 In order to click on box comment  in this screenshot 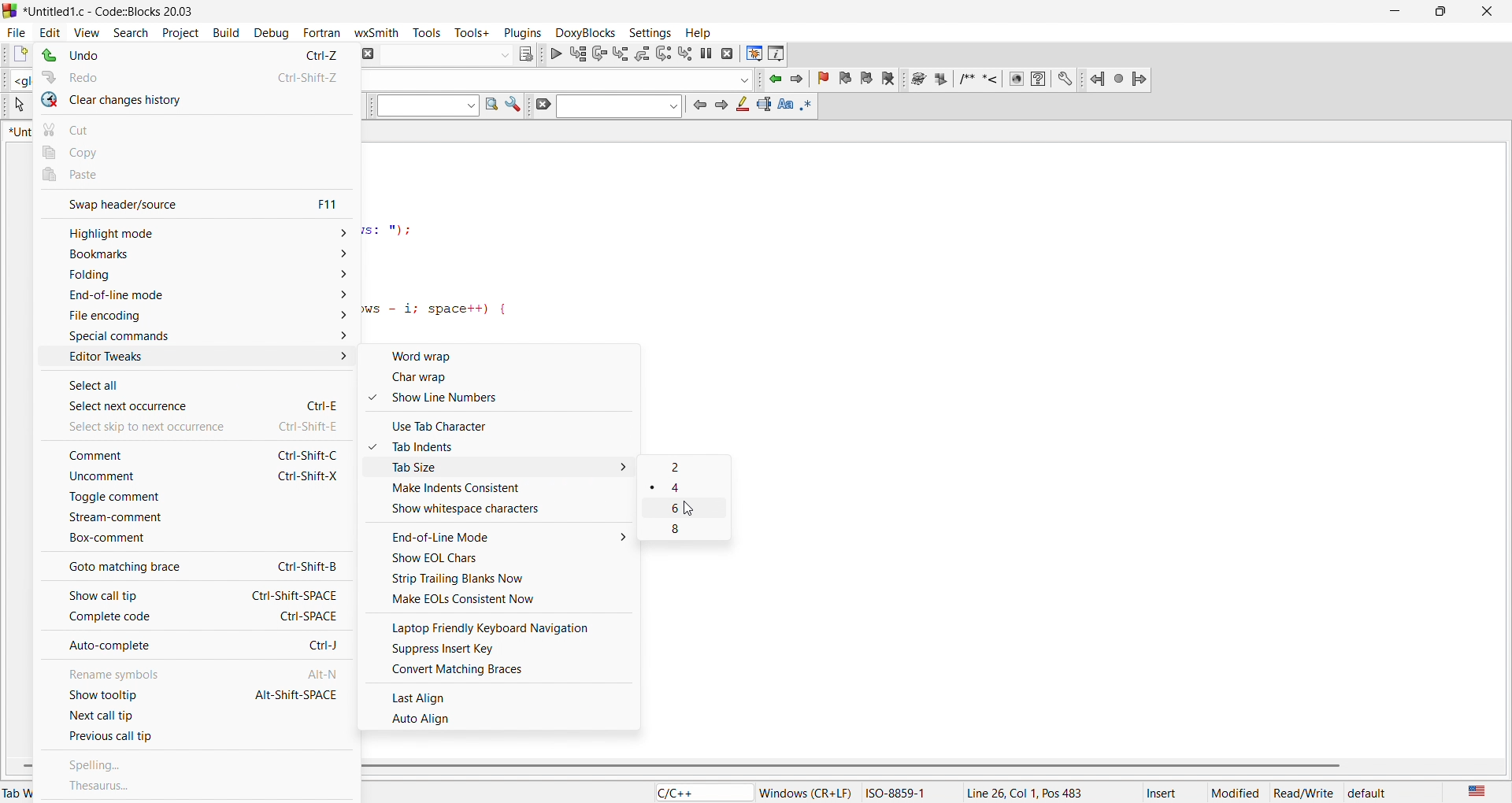, I will do `click(191, 542)`.